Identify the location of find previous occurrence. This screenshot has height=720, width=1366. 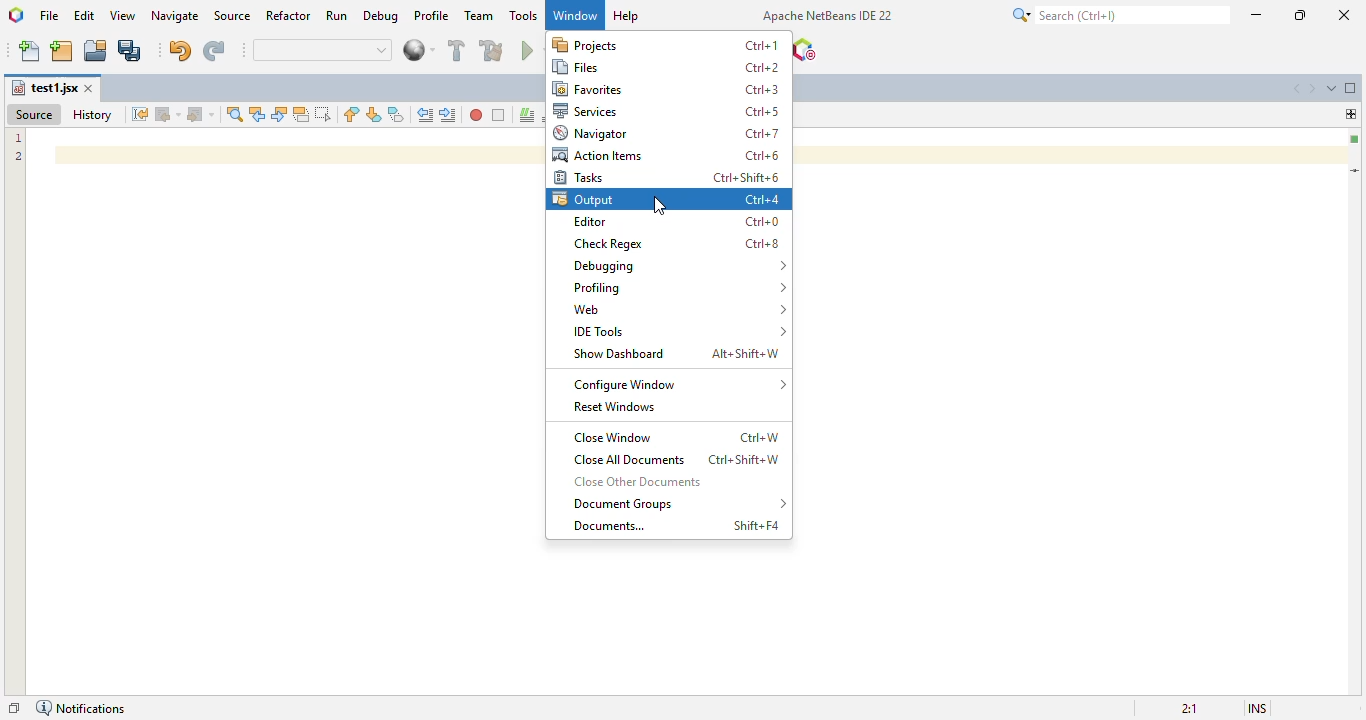
(258, 115).